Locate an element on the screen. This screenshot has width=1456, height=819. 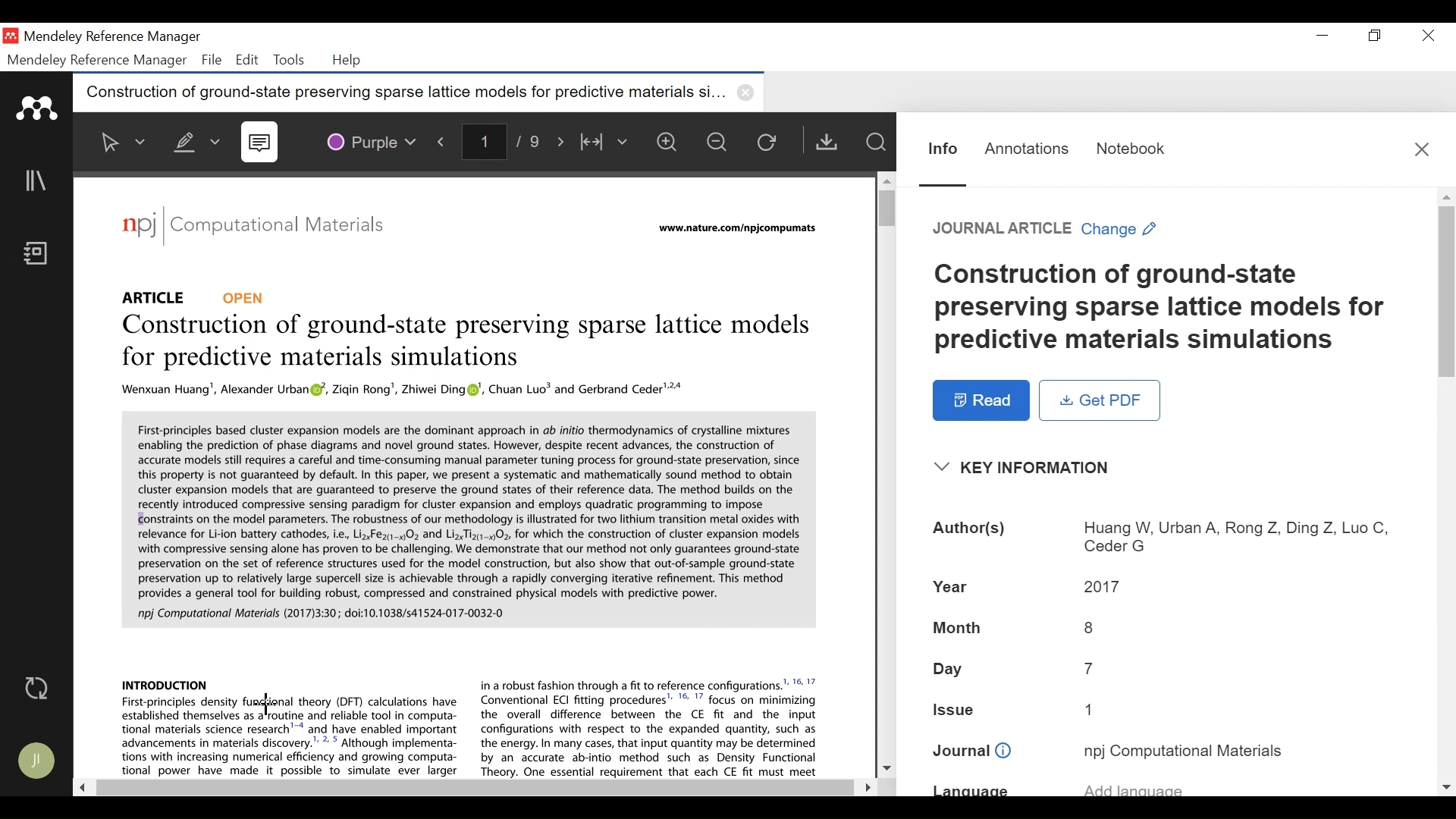
Reload is located at coordinates (773, 144).